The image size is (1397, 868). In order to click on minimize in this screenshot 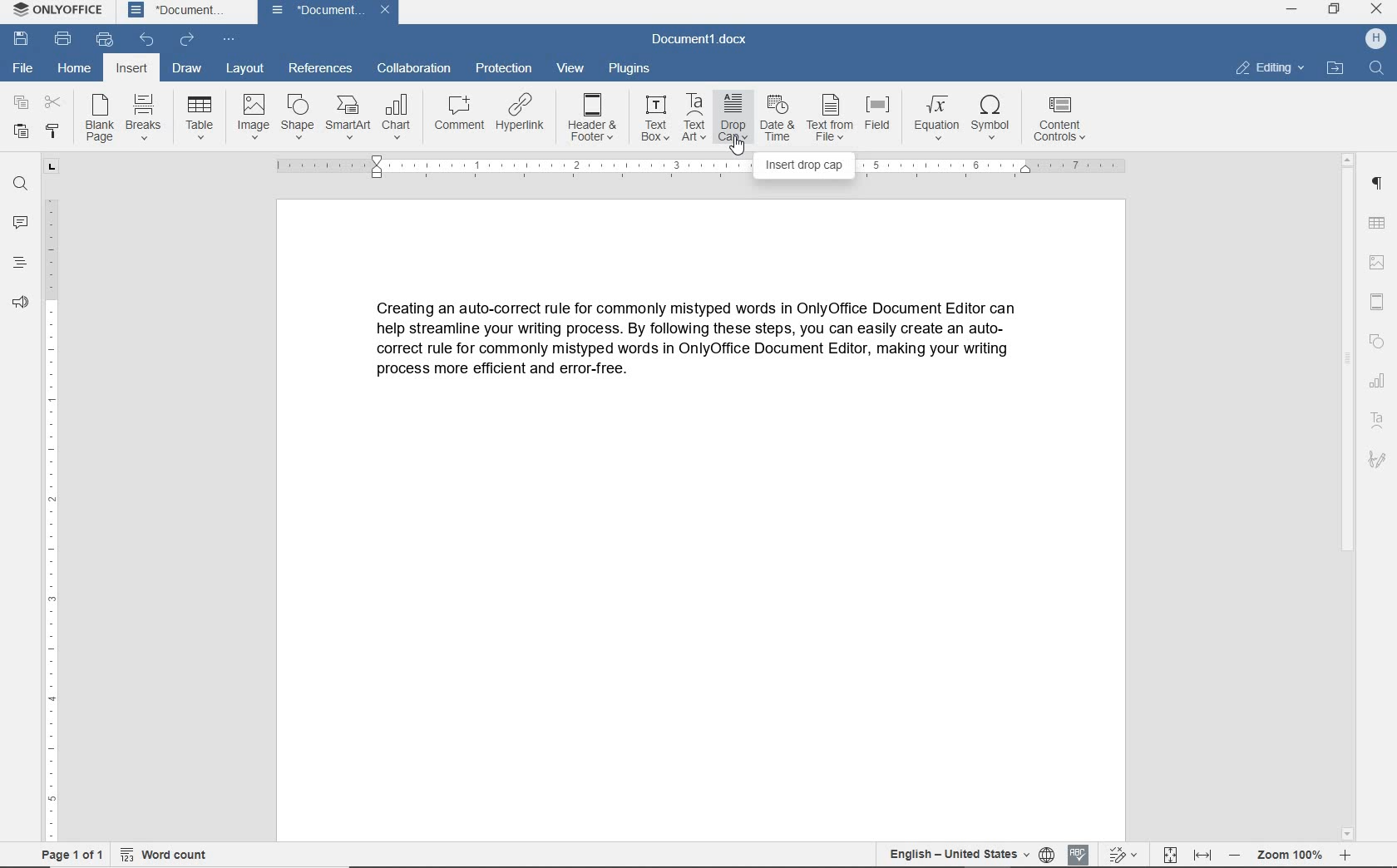, I will do `click(1291, 10)`.